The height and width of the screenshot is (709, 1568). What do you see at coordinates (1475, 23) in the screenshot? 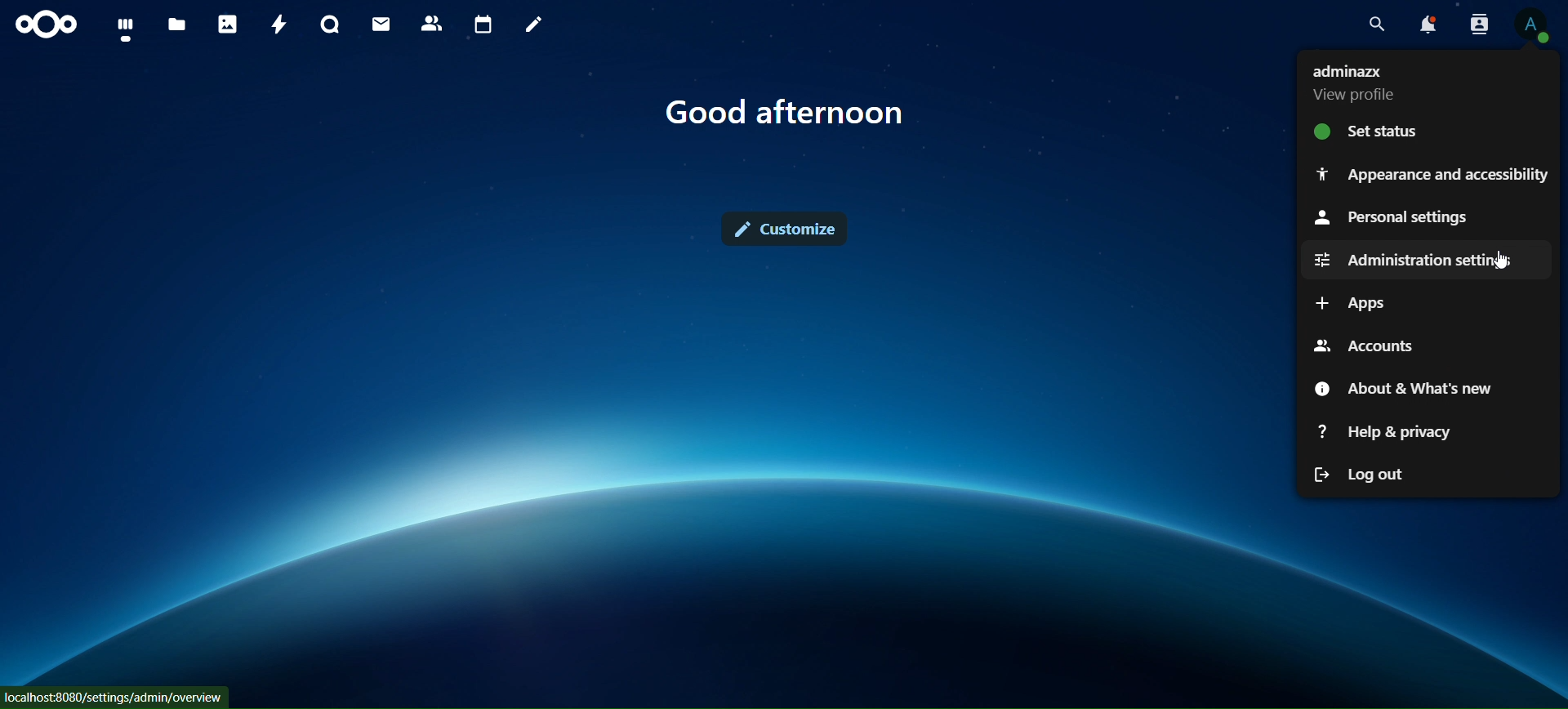
I see `search contacts` at bounding box center [1475, 23].